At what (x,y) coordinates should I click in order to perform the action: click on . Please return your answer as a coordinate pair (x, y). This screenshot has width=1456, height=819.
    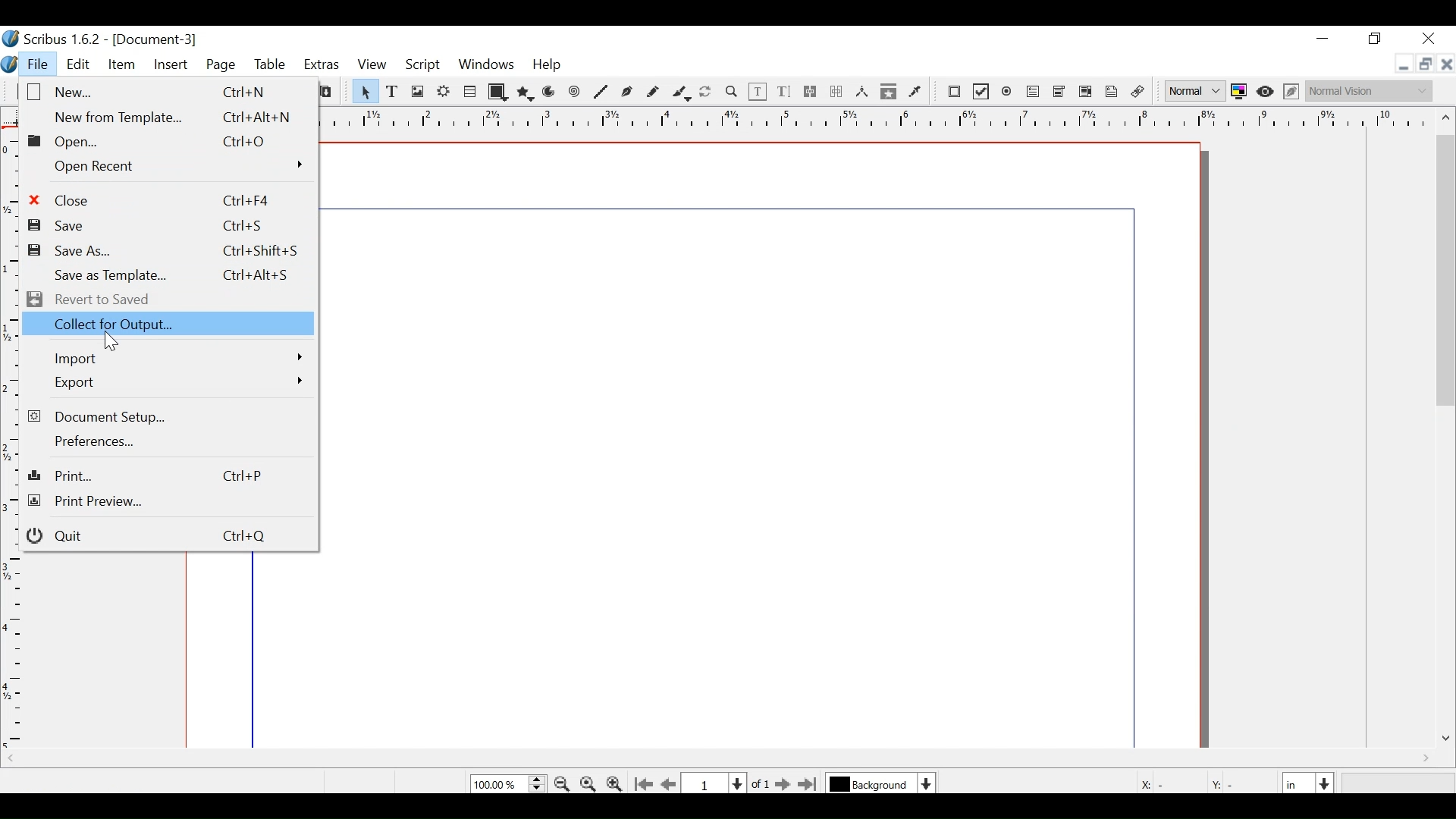
    Looking at the image, I should click on (1325, 781).